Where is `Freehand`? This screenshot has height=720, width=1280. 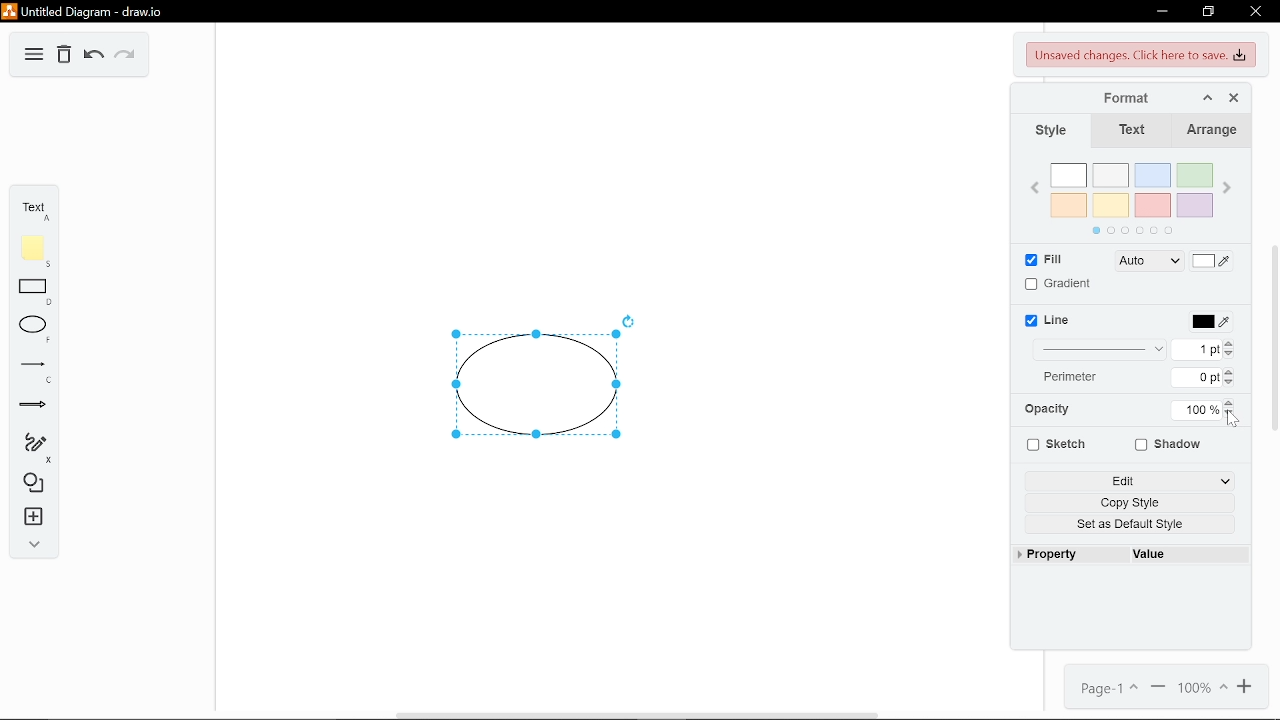 Freehand is located at coordinates (33, 445).